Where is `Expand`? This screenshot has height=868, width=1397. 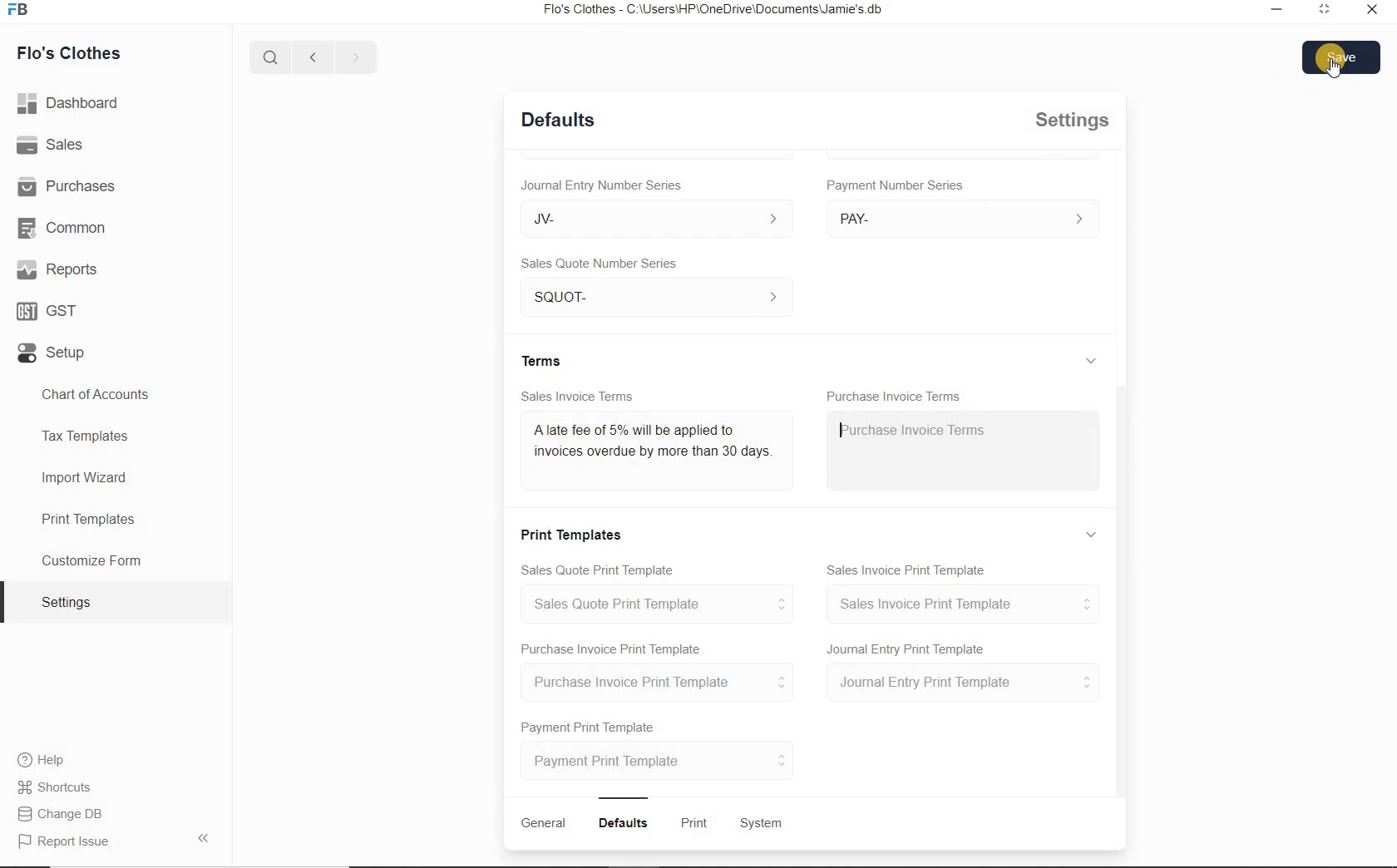 Expand is located at coordinates (1095, 170).